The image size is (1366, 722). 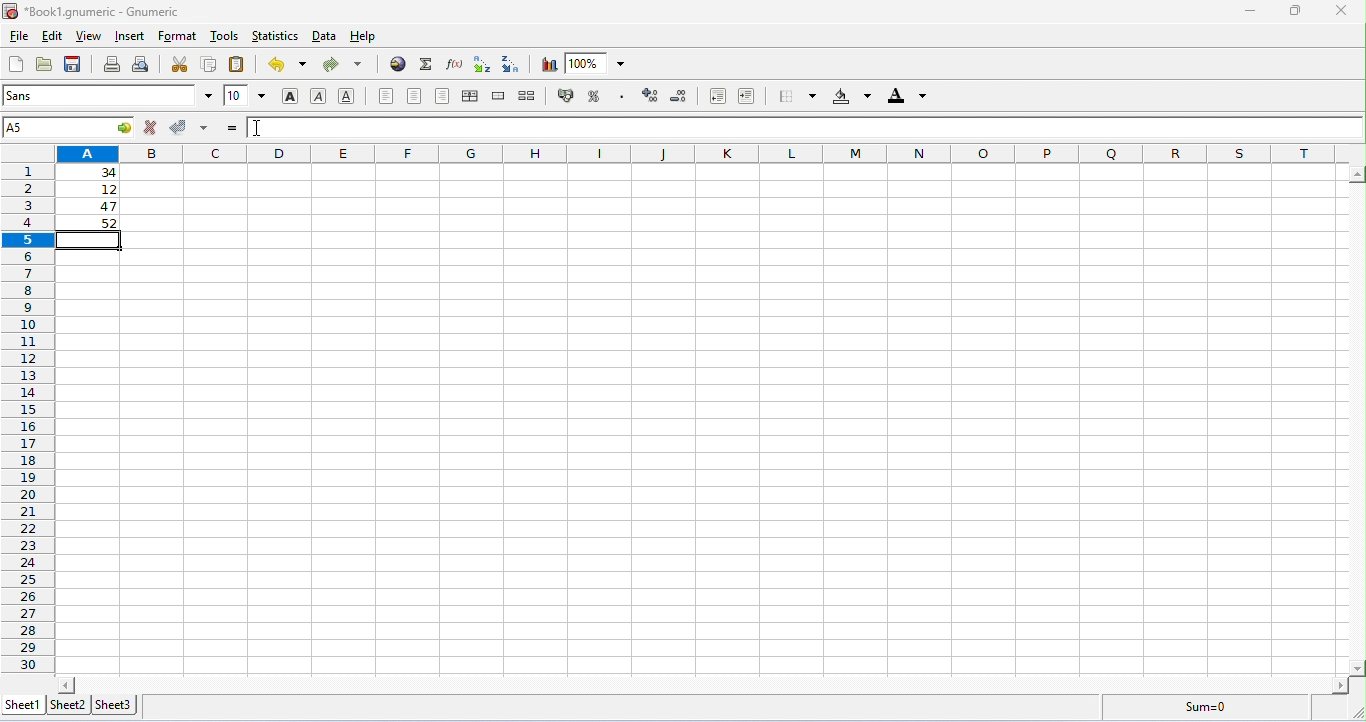 I want to click on formula bar, so click(x=803, y=127).